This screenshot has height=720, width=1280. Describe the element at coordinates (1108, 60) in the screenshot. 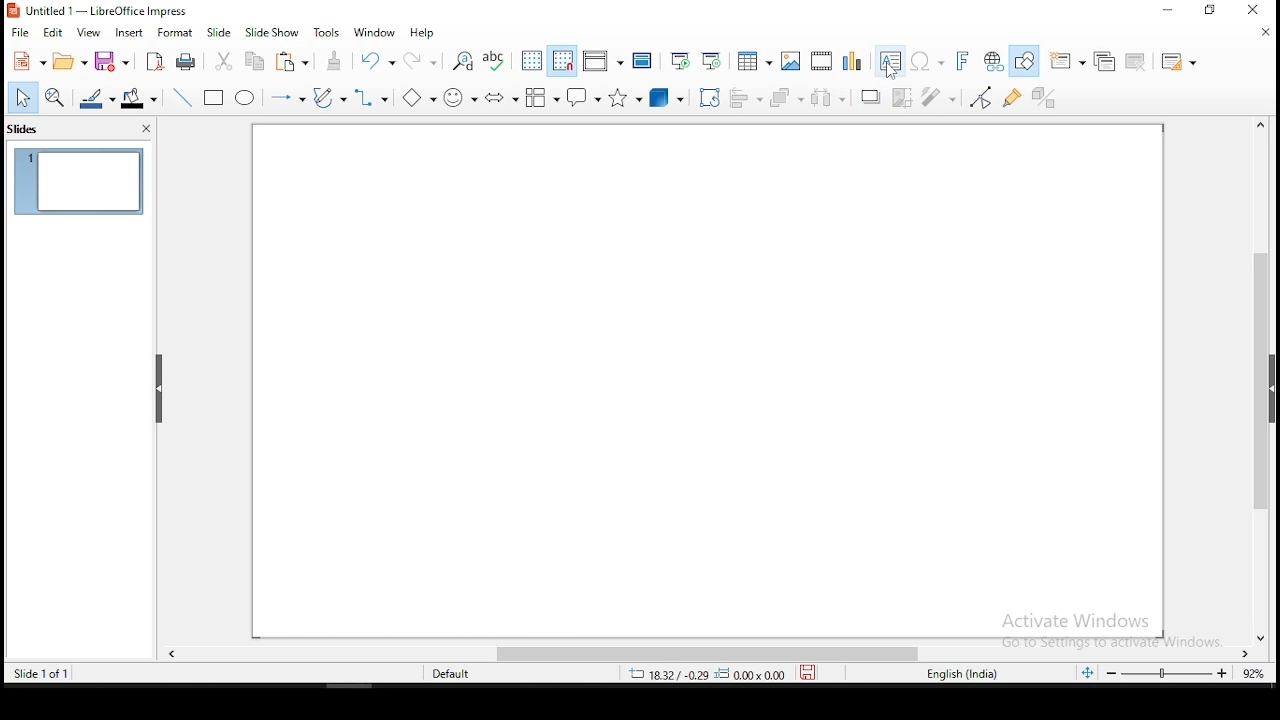

I see `duplicate slide` at that location.